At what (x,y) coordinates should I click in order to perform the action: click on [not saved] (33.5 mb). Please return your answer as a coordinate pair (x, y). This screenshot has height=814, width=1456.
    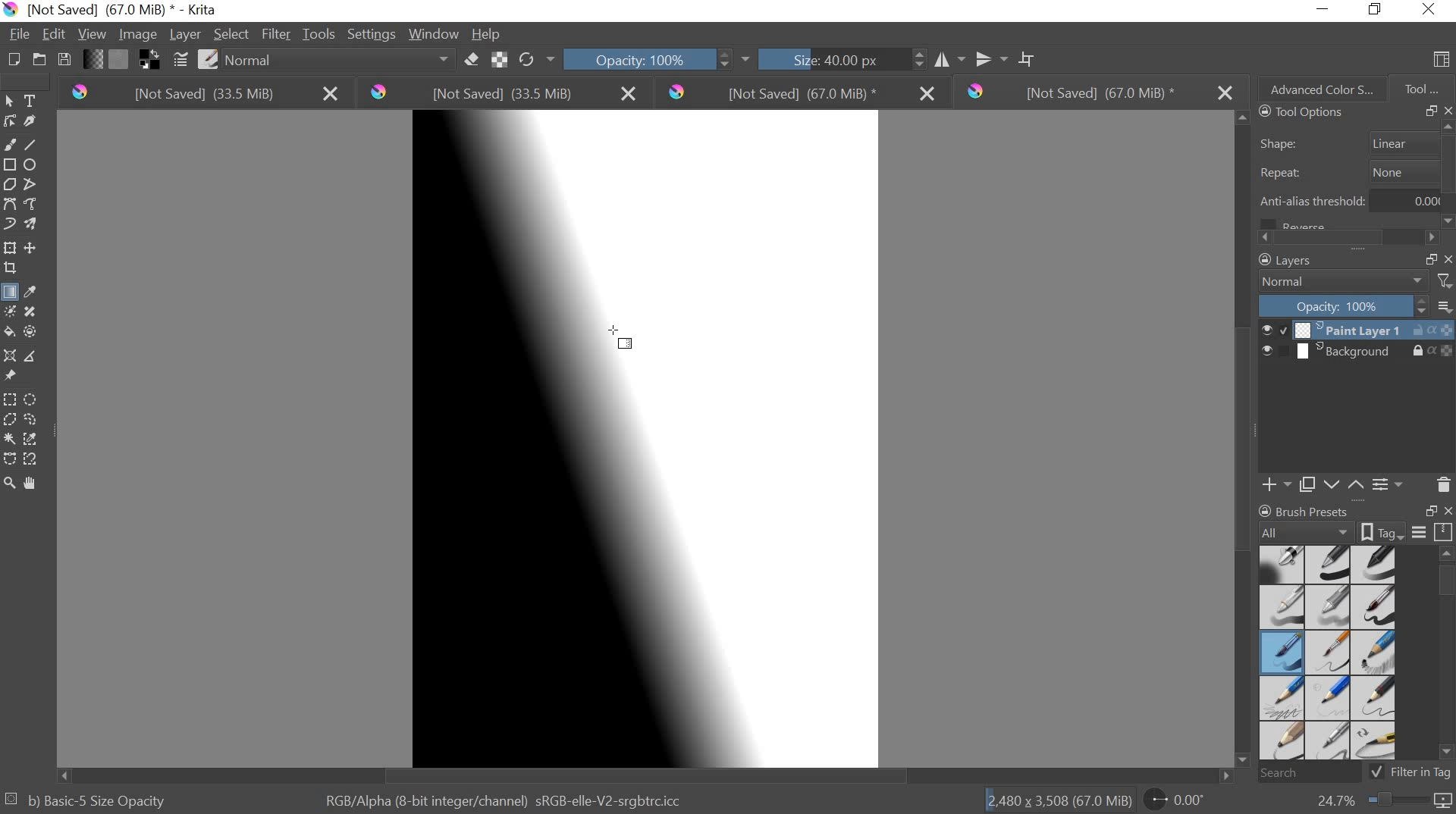
    Looking at the image, I should click on (1096, 92).